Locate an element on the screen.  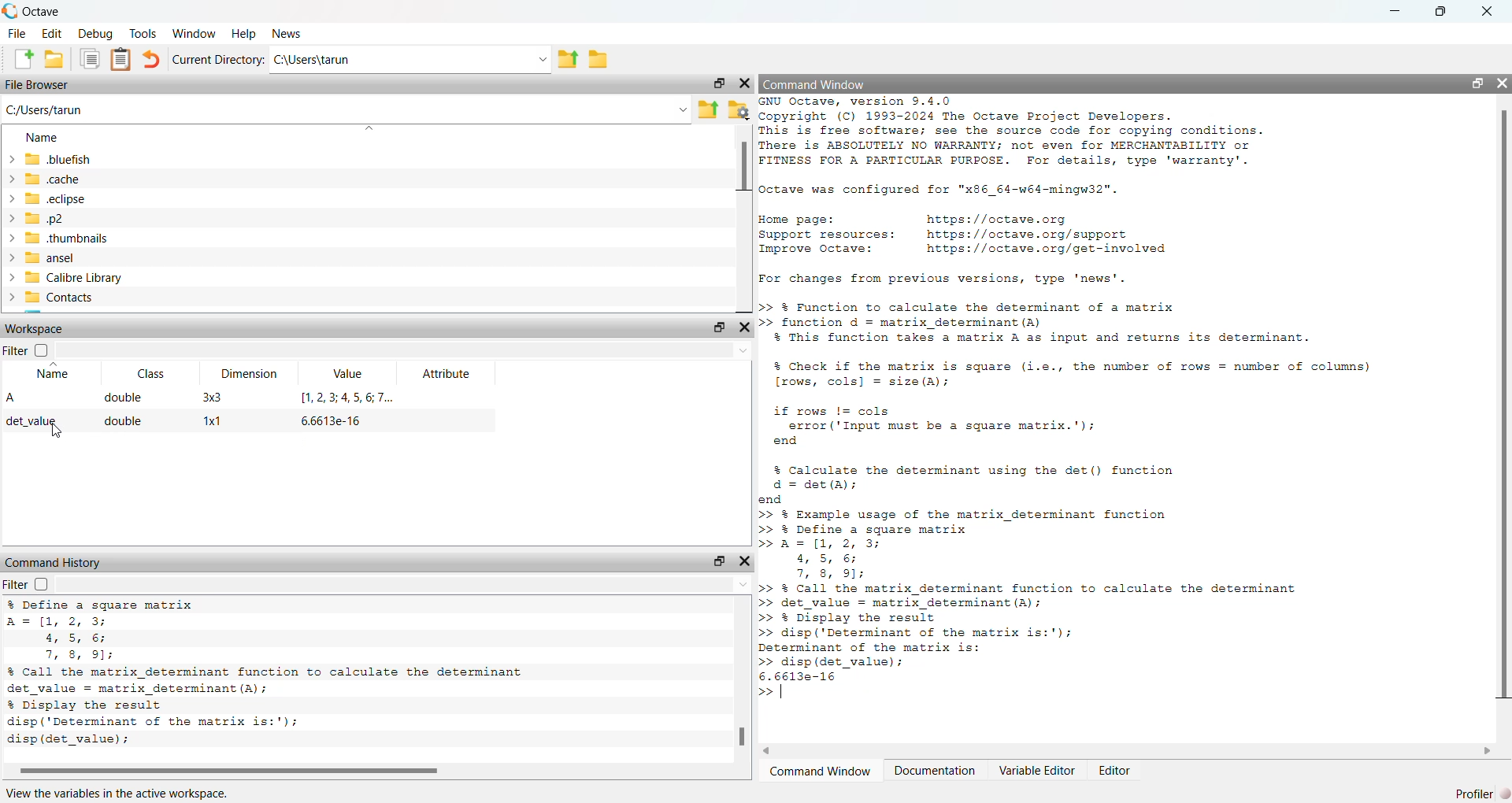
close is located at coordinates (744, 328).